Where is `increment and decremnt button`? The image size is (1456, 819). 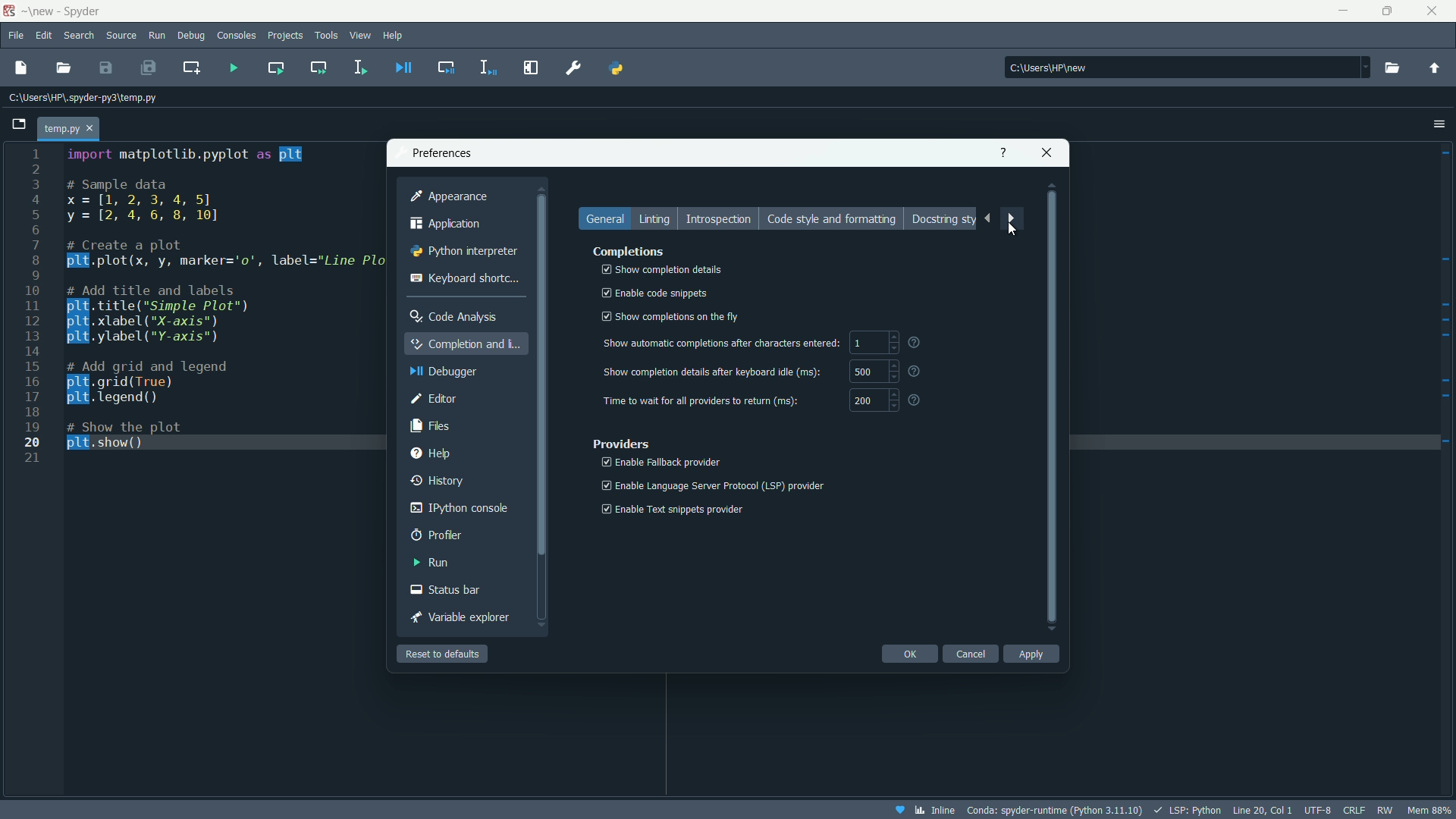
increment and decremnt button is located at coordinates (892, 343).